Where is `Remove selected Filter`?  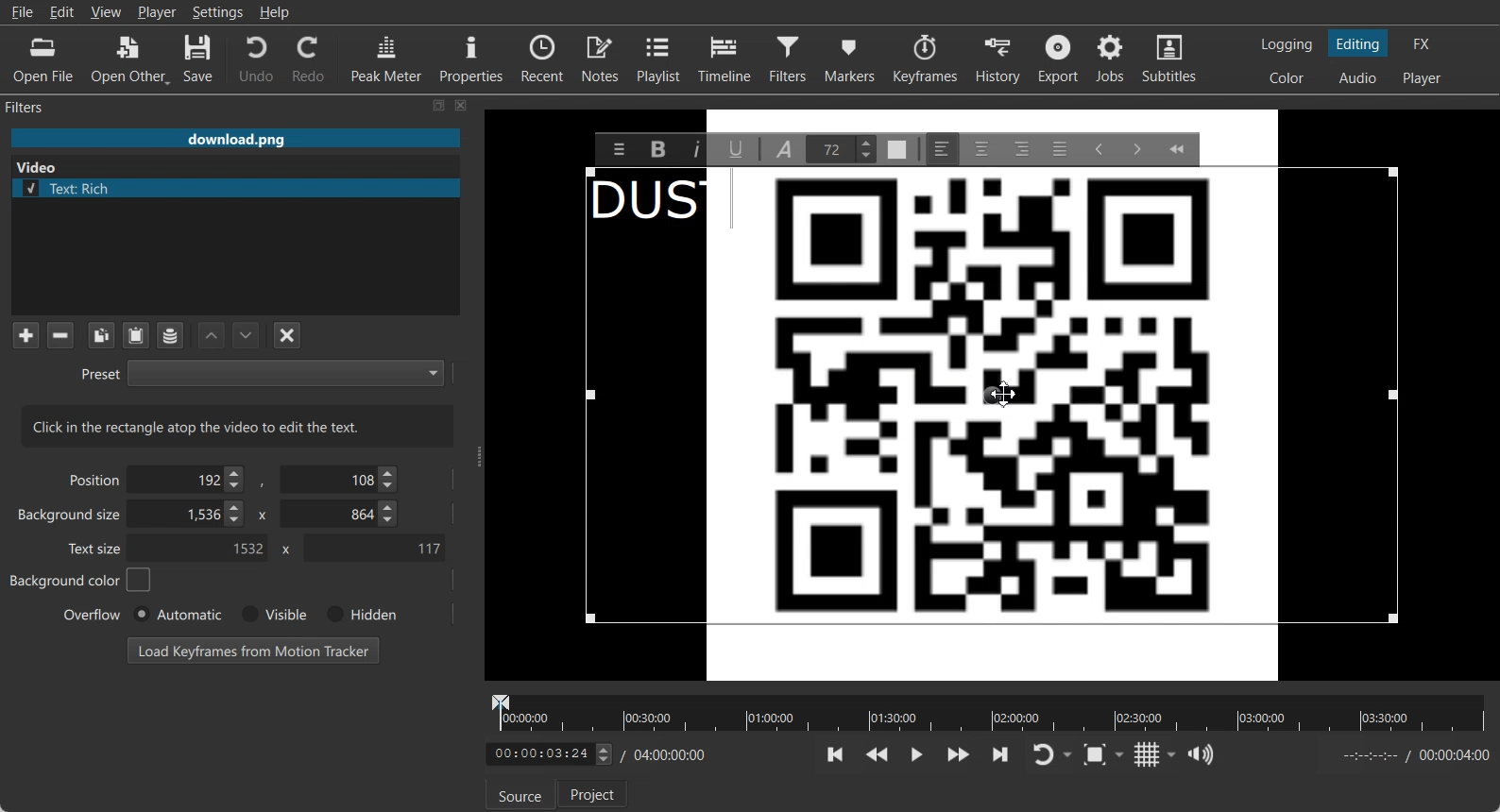
Remove selected Filter is located at coordinates (60, 334).